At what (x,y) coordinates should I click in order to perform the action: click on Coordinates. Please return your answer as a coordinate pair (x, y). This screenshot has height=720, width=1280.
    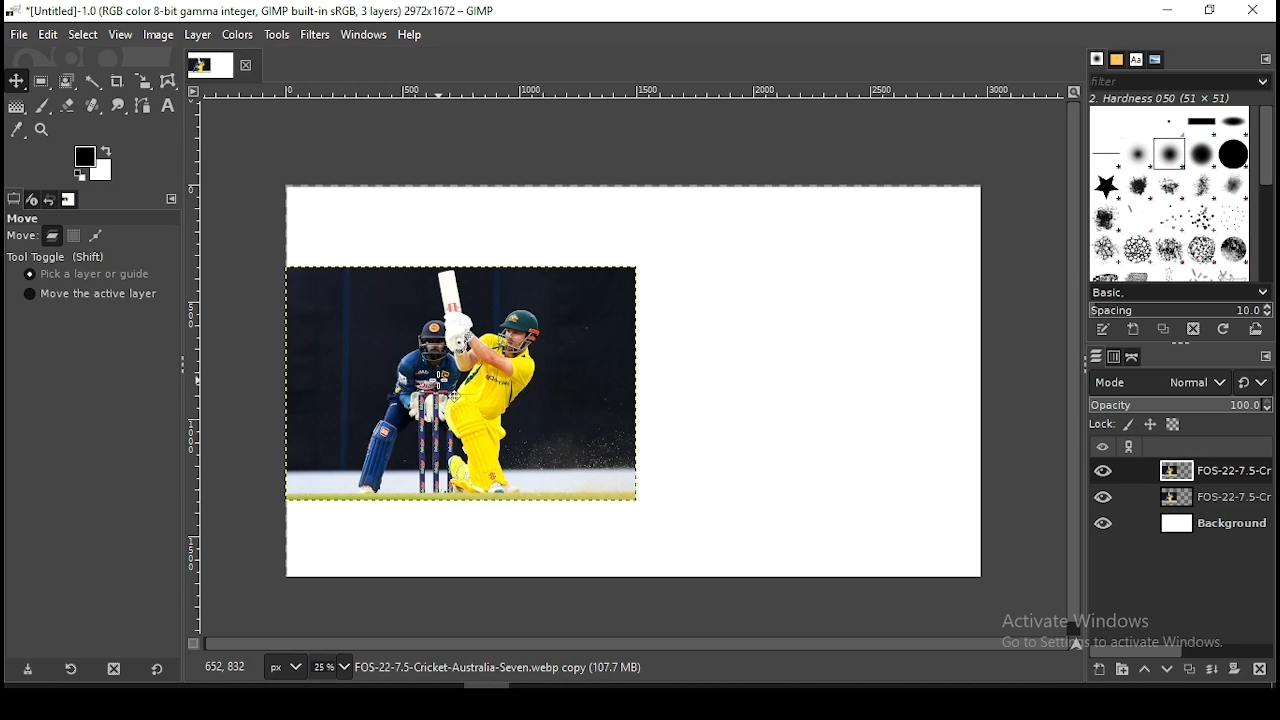
    Looking at the image, I should click on (226, 667).